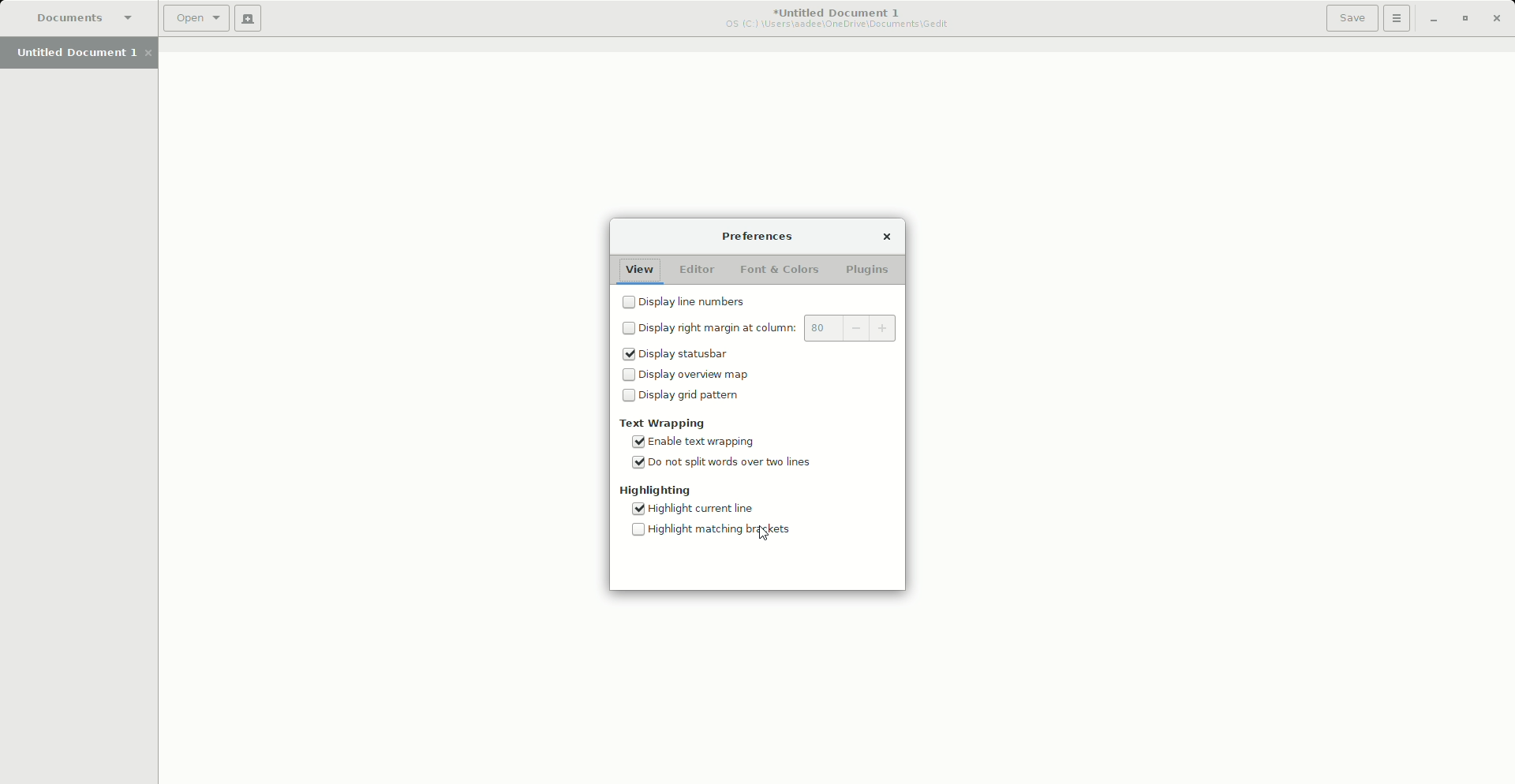  Describe the element at coordinates (664, 424) in the screenshot. I see `Text wrapping` at that location.